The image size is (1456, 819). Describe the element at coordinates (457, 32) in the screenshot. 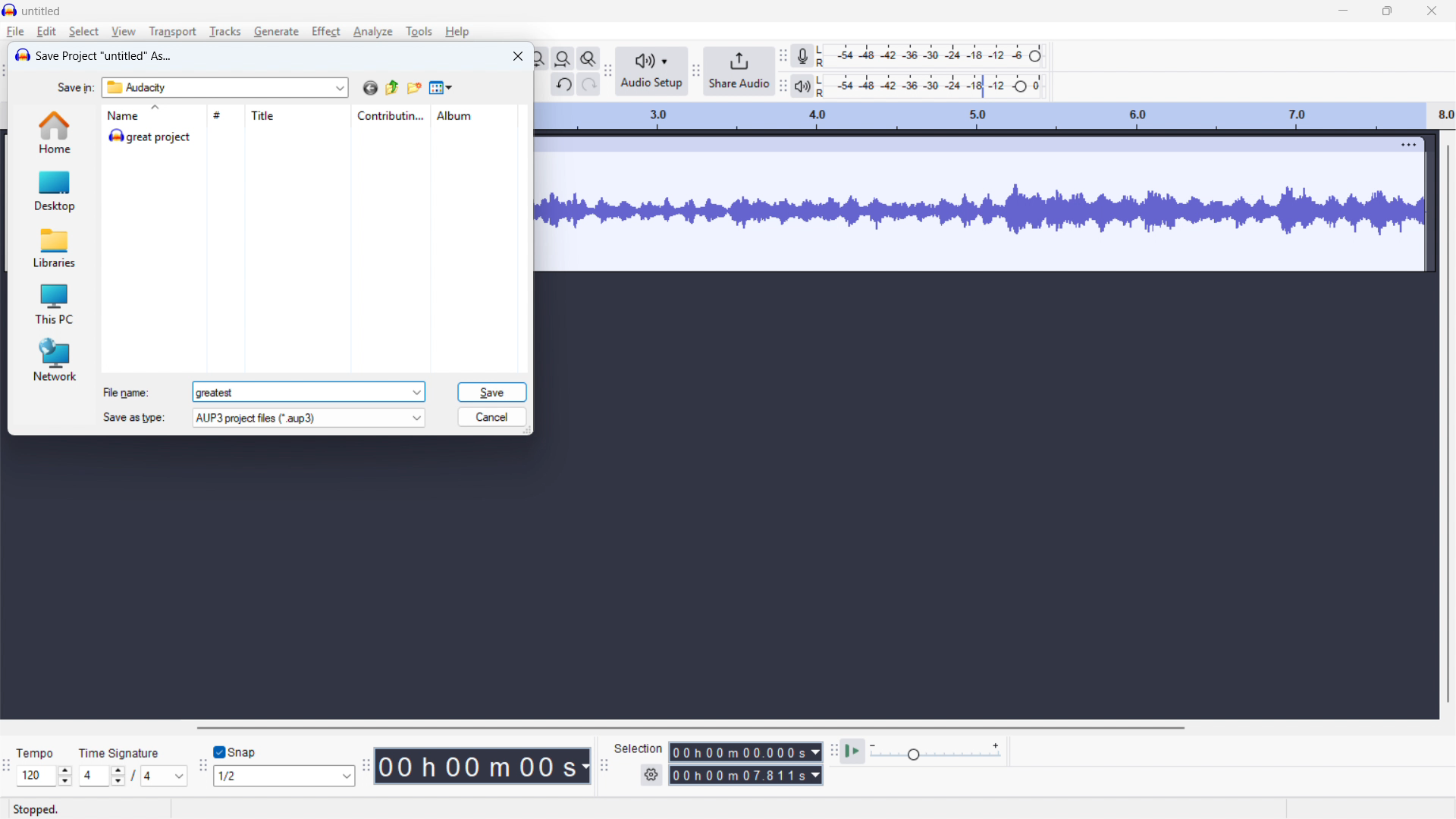

I see `help` at that location.